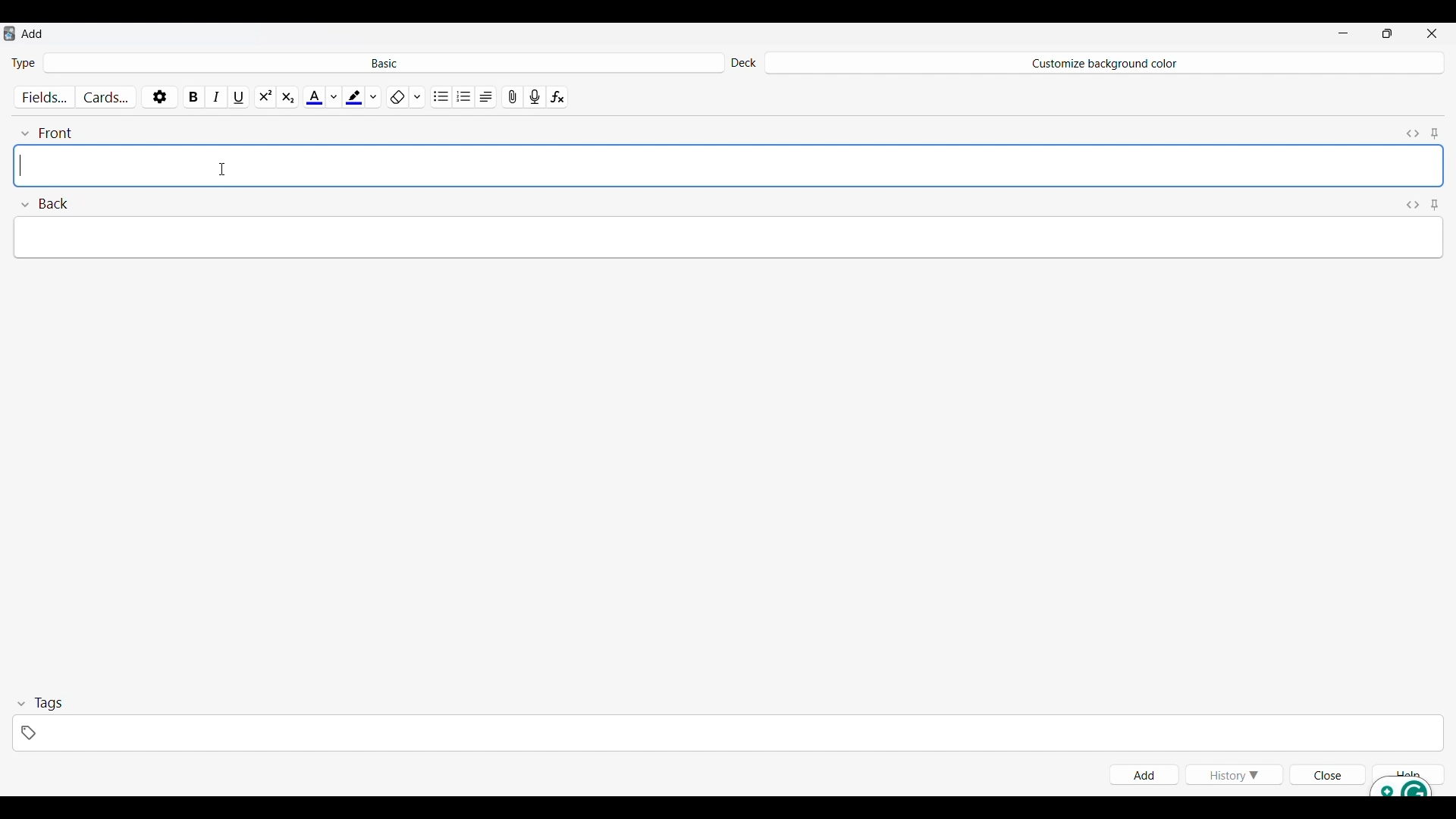 The height and width of the screenshot is (819, 1456). What do you see at coordinates (397, 95) in the screenshot?
I see `Remove formatting` at bounding box center [397, 95].